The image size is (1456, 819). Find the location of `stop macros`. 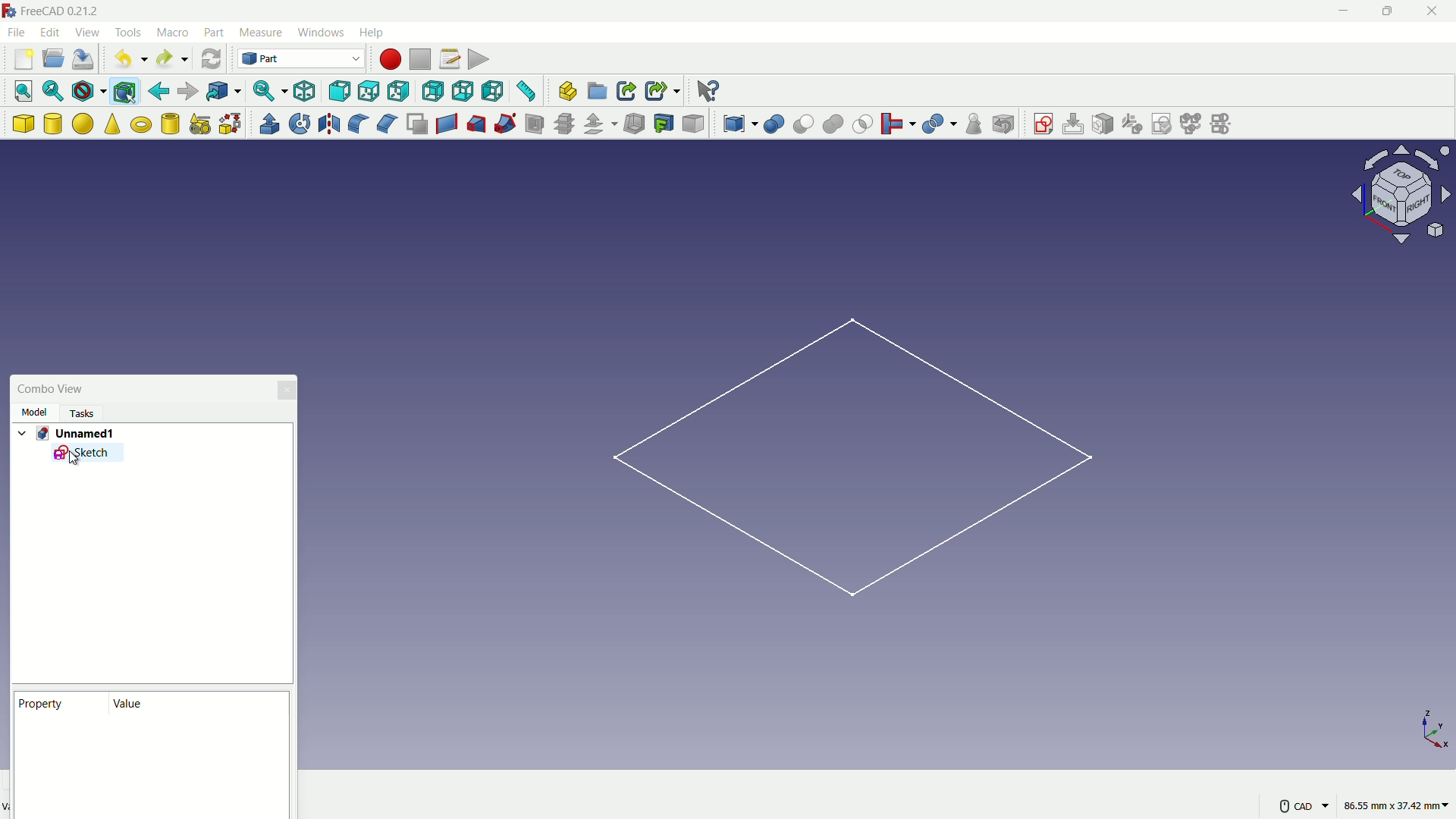

stop macros is located at coordinates (420, 60).